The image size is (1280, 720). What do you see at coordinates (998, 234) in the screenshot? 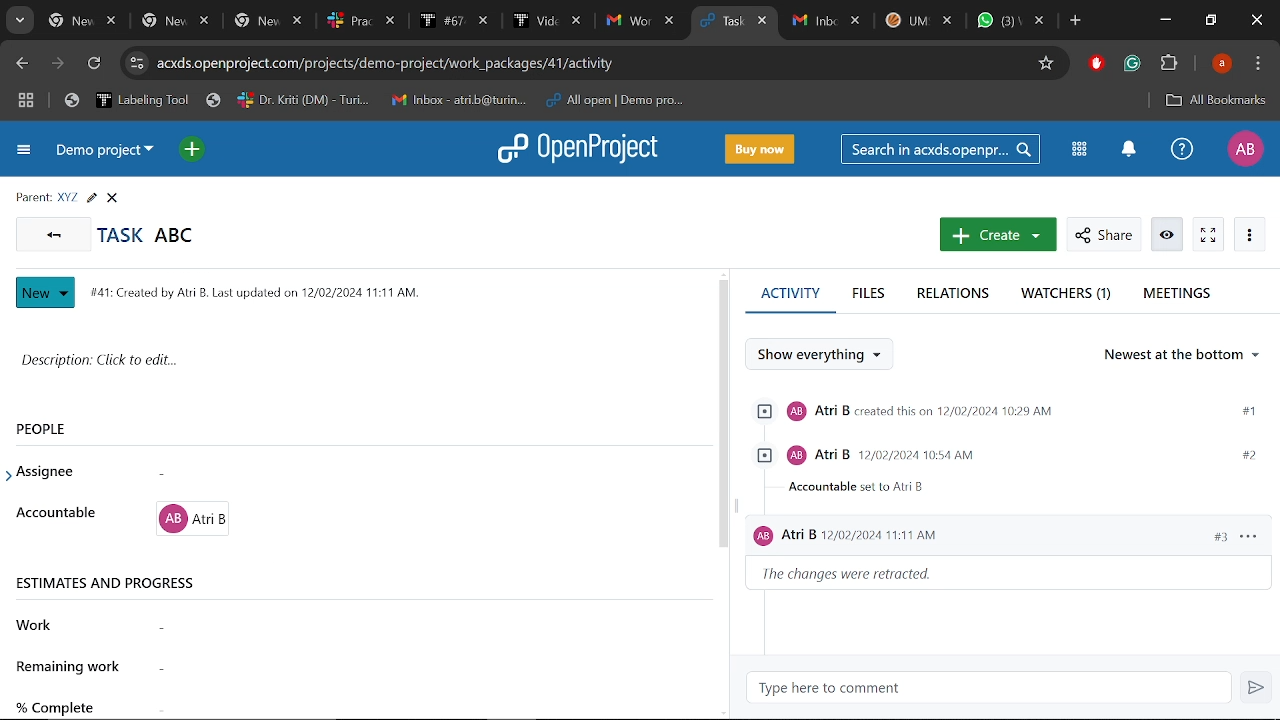
I see `Create ` at bounding box center [998, 234].